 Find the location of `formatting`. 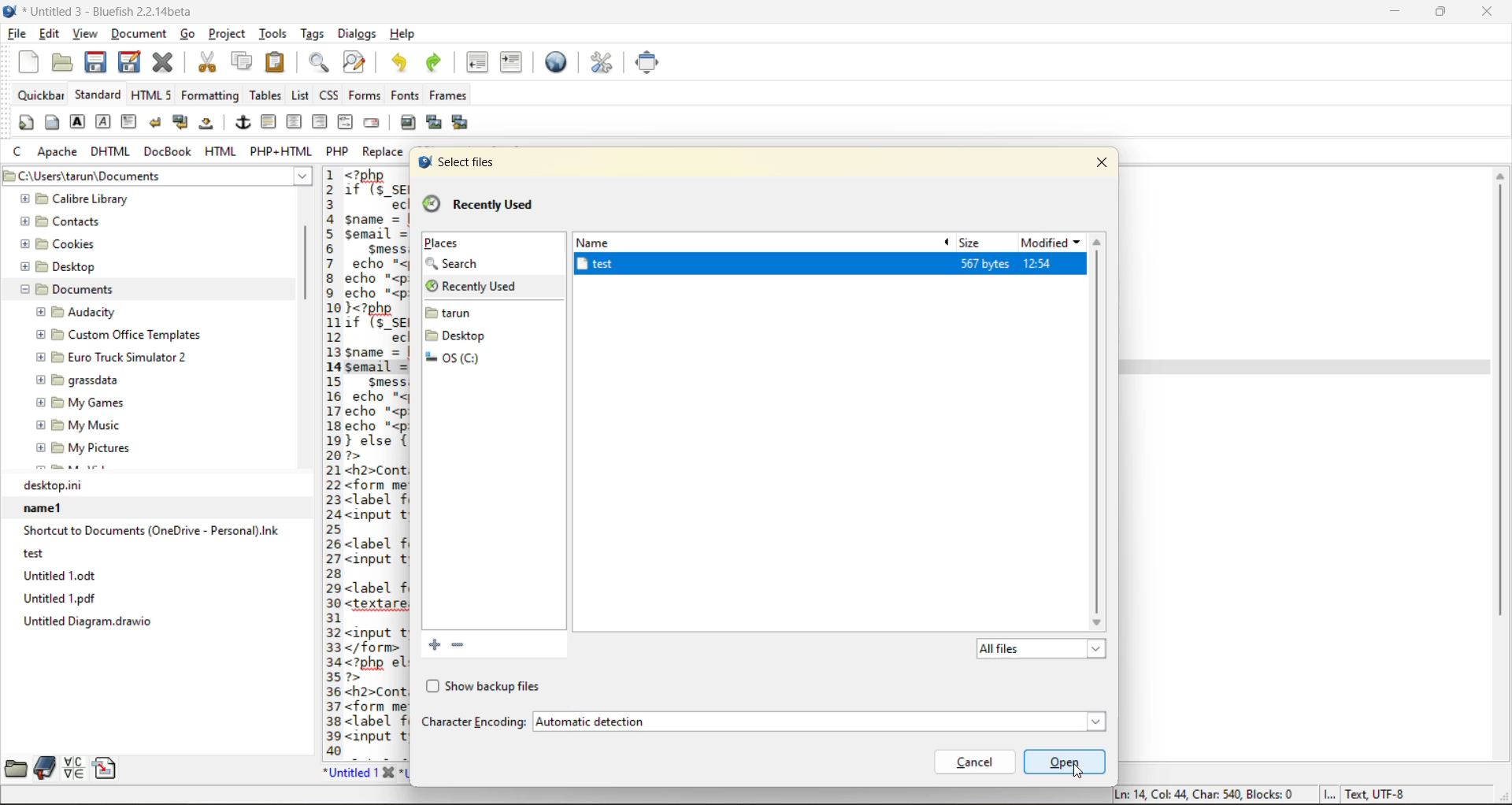

formatting is located at coordinates (211, 95).